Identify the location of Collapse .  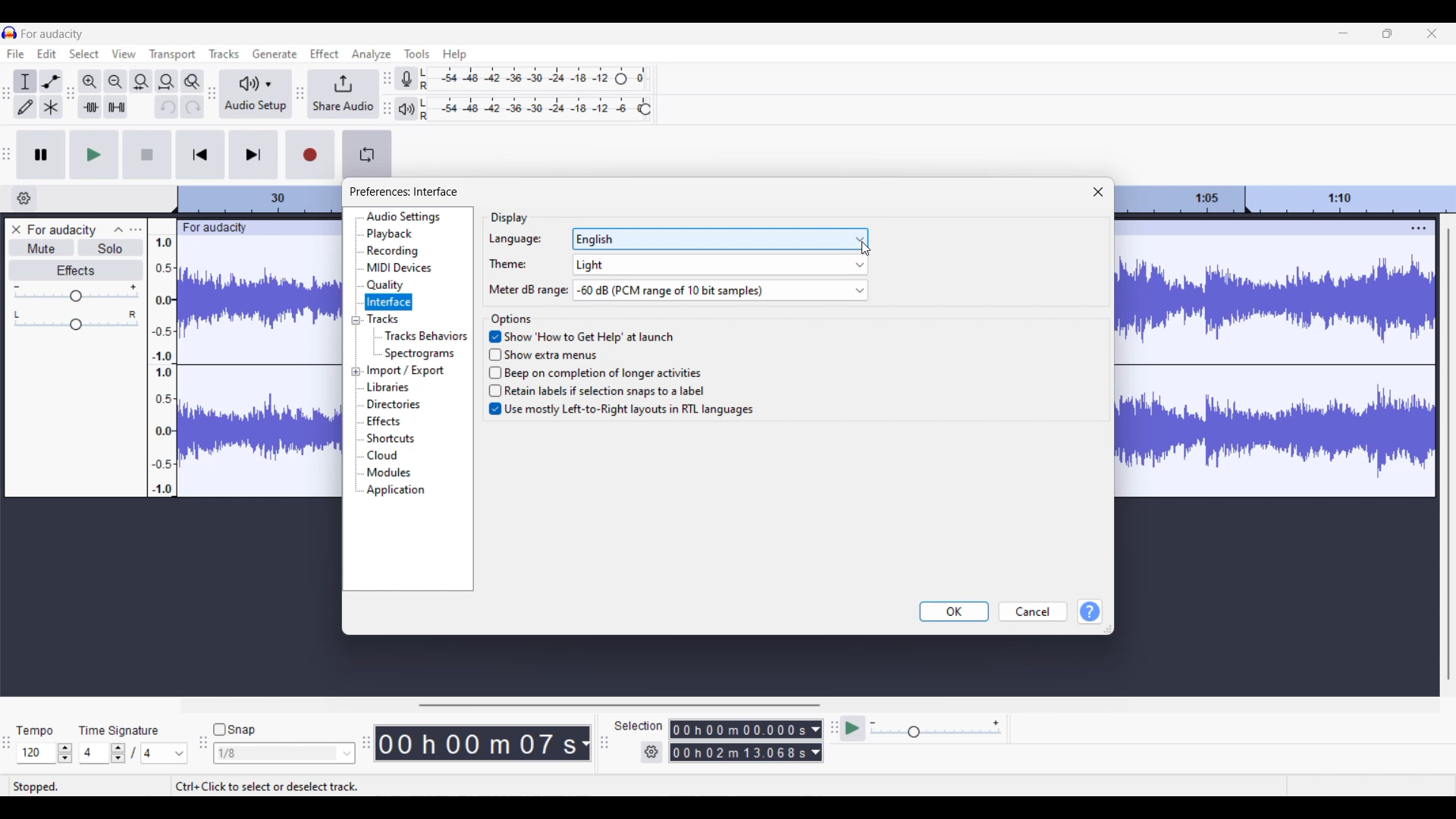
(118, 230).